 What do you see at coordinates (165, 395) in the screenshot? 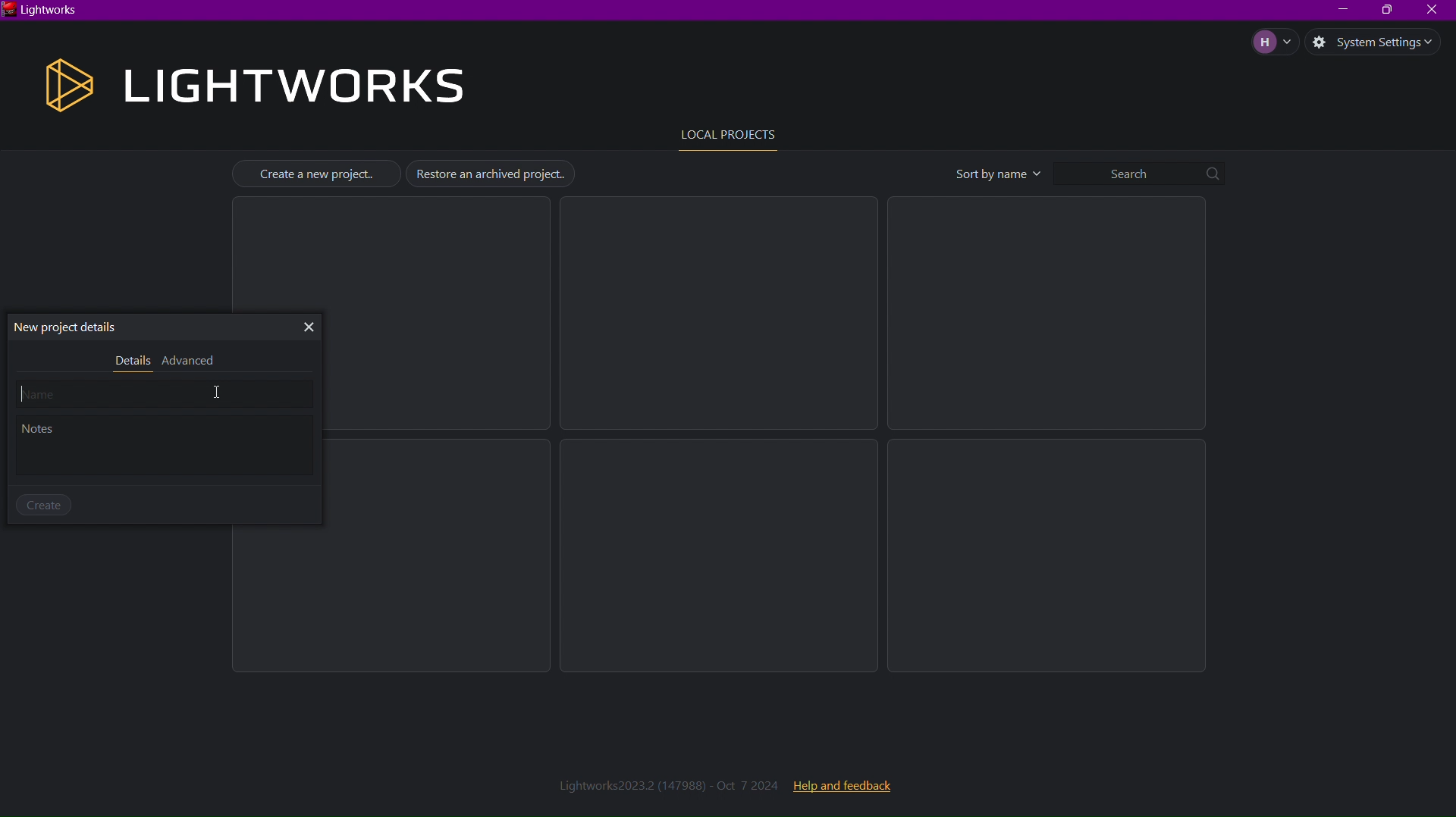
I see `Nmae` at bounding box center [165, 395].